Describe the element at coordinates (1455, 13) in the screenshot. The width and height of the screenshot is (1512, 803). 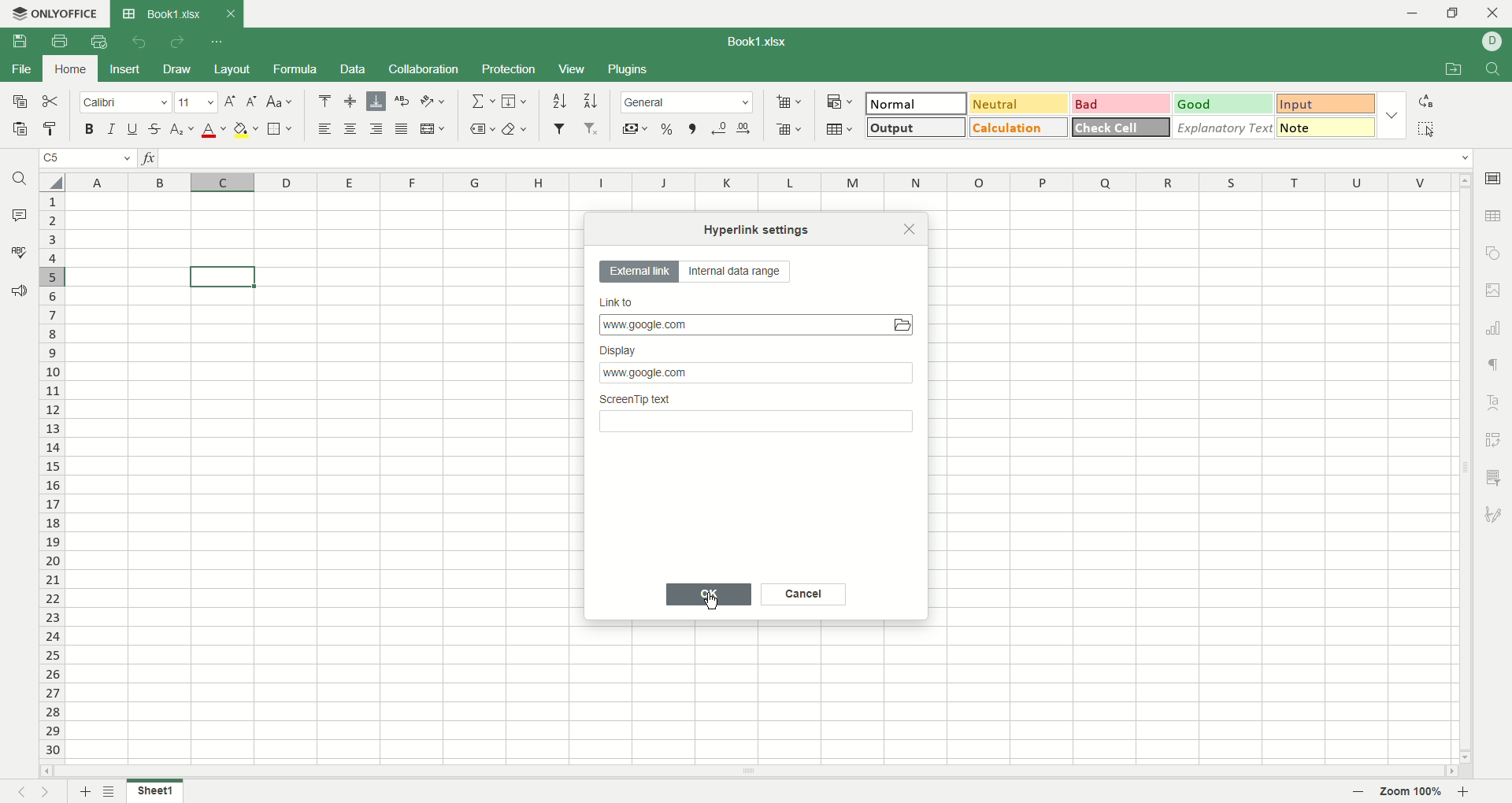
I see `maximize` at that location.